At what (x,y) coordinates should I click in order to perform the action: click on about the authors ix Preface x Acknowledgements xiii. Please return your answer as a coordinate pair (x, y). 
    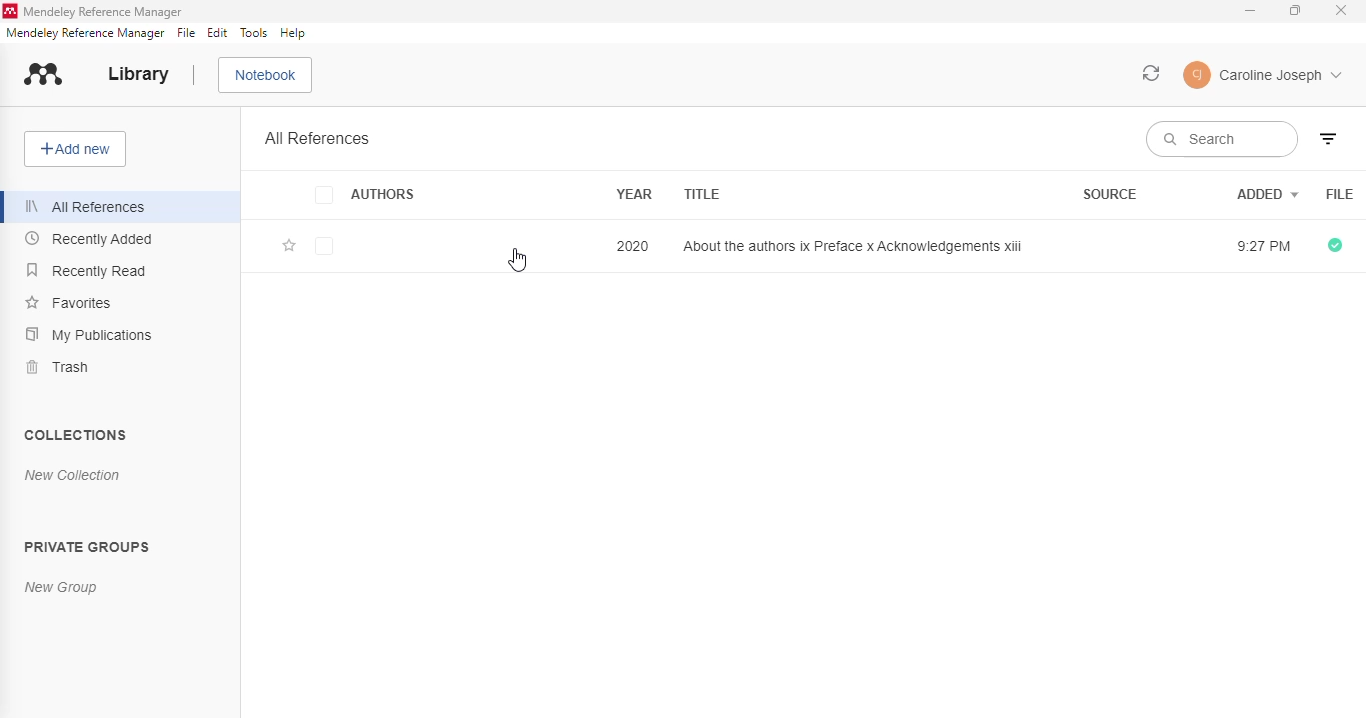
    Looking at the image, I should click on (853, 246).